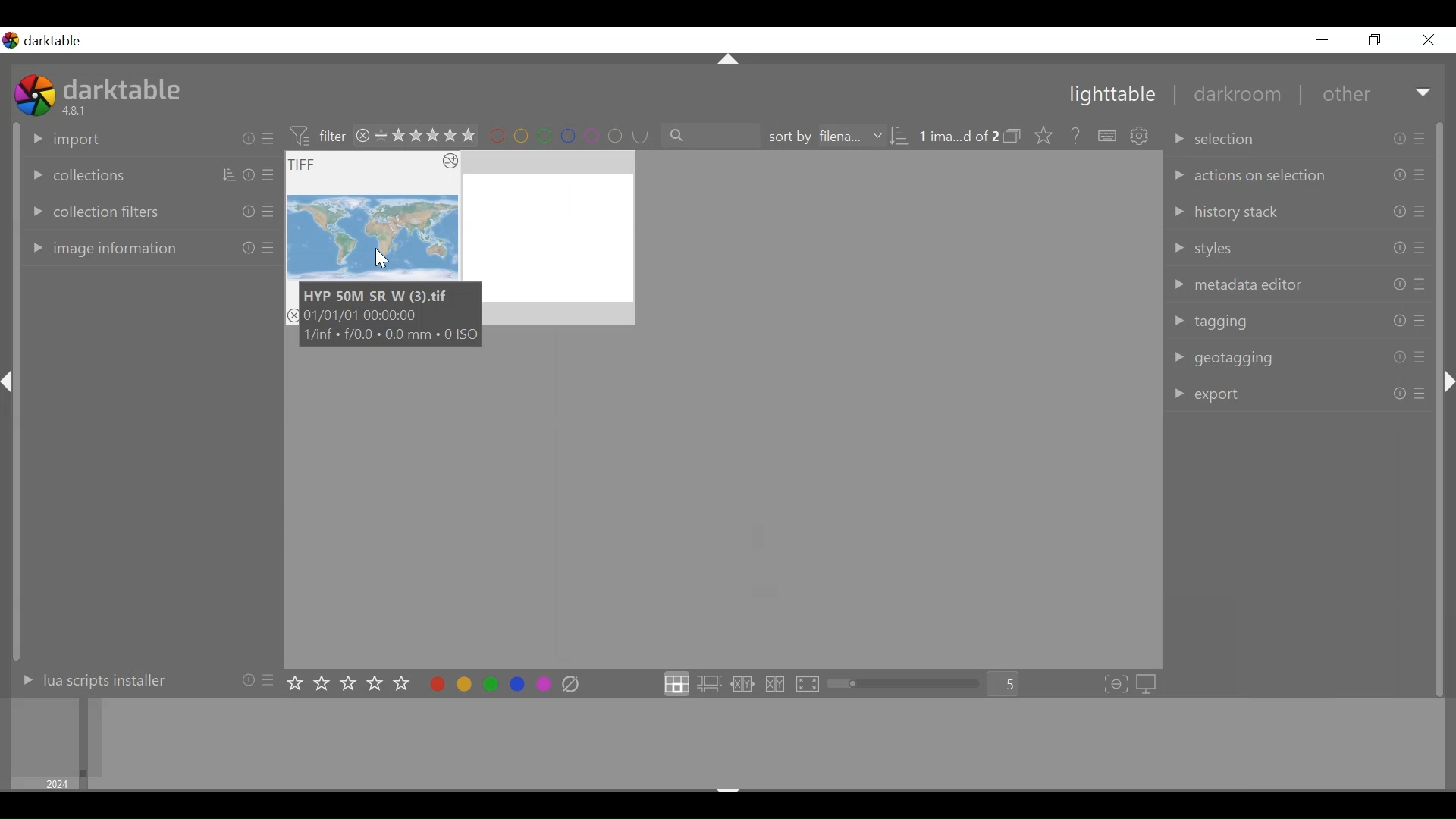  Describe the element at coordinates (122, 89) in the screenshot. I see `darktable` at that location.